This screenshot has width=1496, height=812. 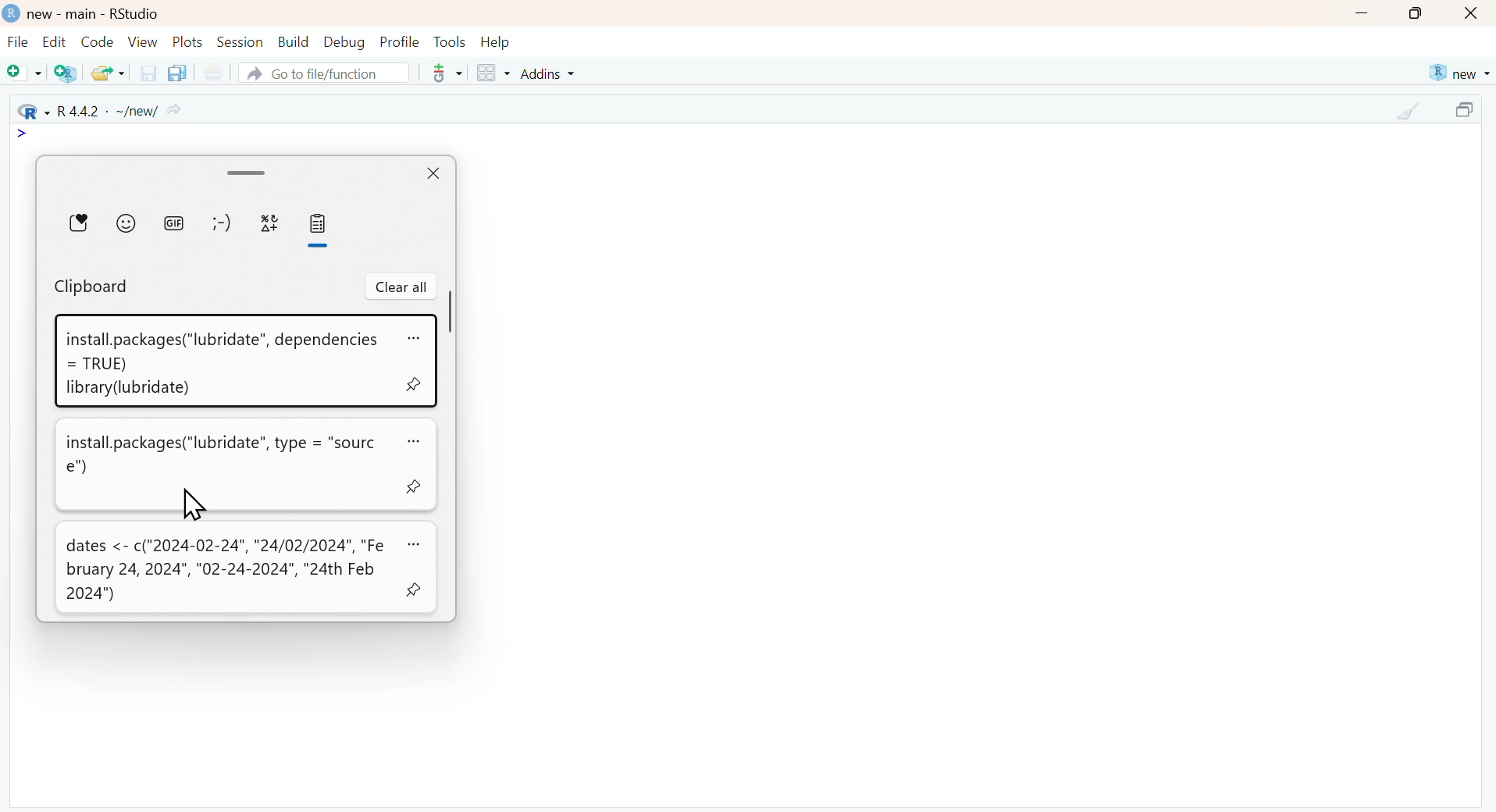 What do you see at coordinates (225, 570) in the screenshot?
I see `dates <- c("2024-02-24", "24/02/2024", "Fe
bruary 24, 2024", "02-24-2024", "24th Feb
2024")` at bounding box center [225, 570].